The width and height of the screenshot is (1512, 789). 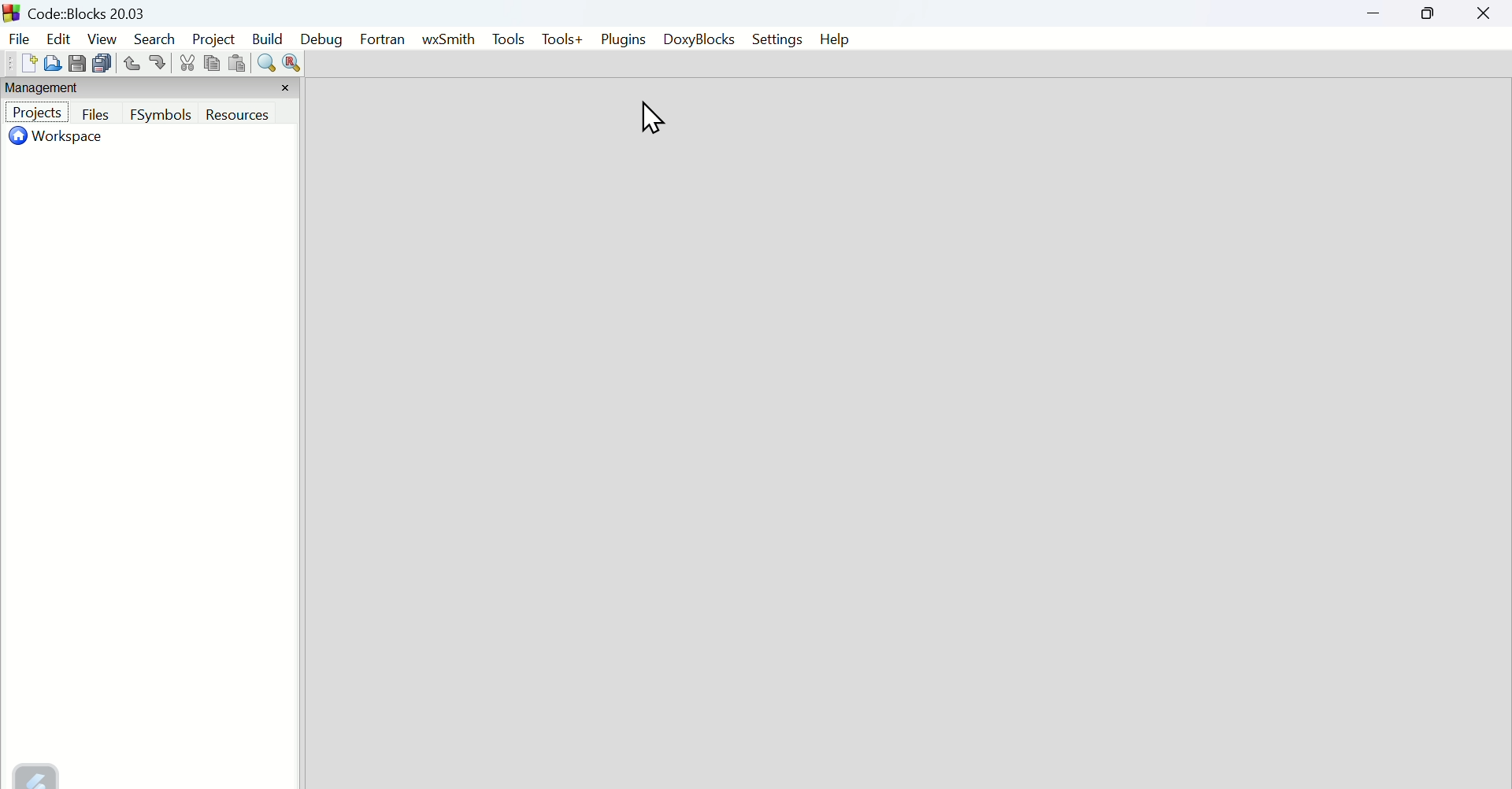 What do you see at coordinates (18, 39) in the screenshot?
I see `File` at bounding box center [18, 39].